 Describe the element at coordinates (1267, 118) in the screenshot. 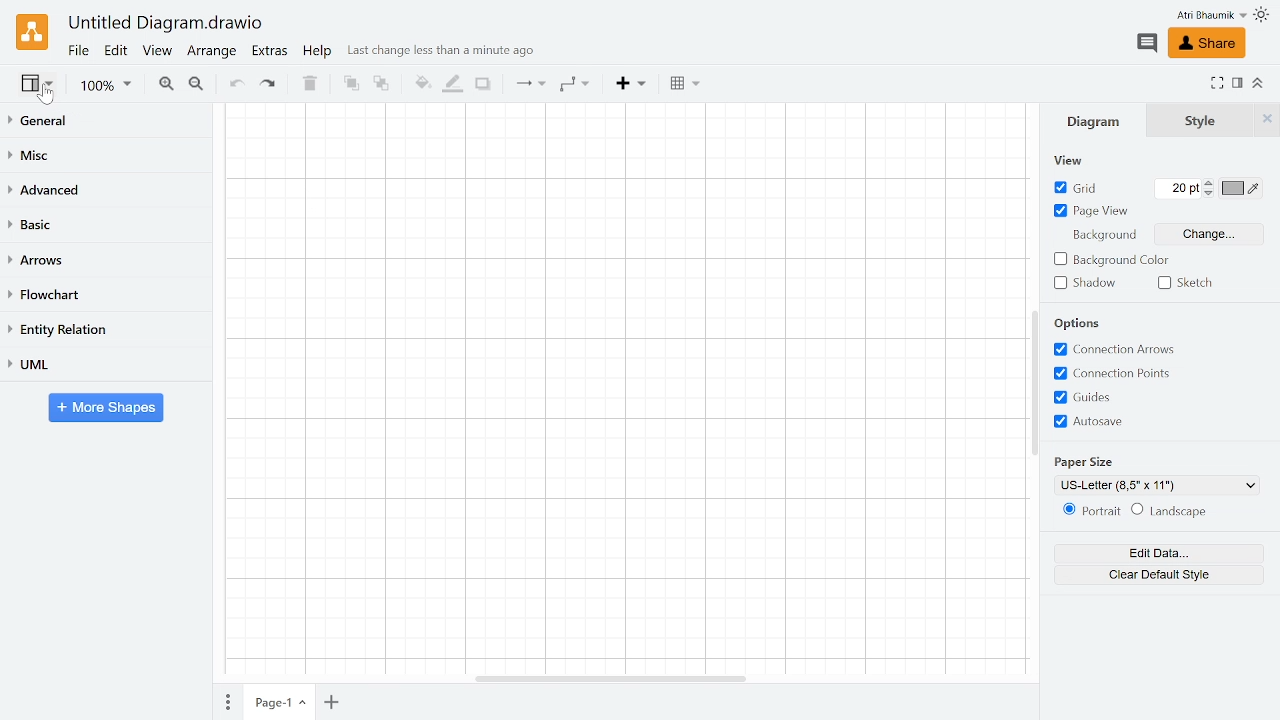

I see `Close` at that location.